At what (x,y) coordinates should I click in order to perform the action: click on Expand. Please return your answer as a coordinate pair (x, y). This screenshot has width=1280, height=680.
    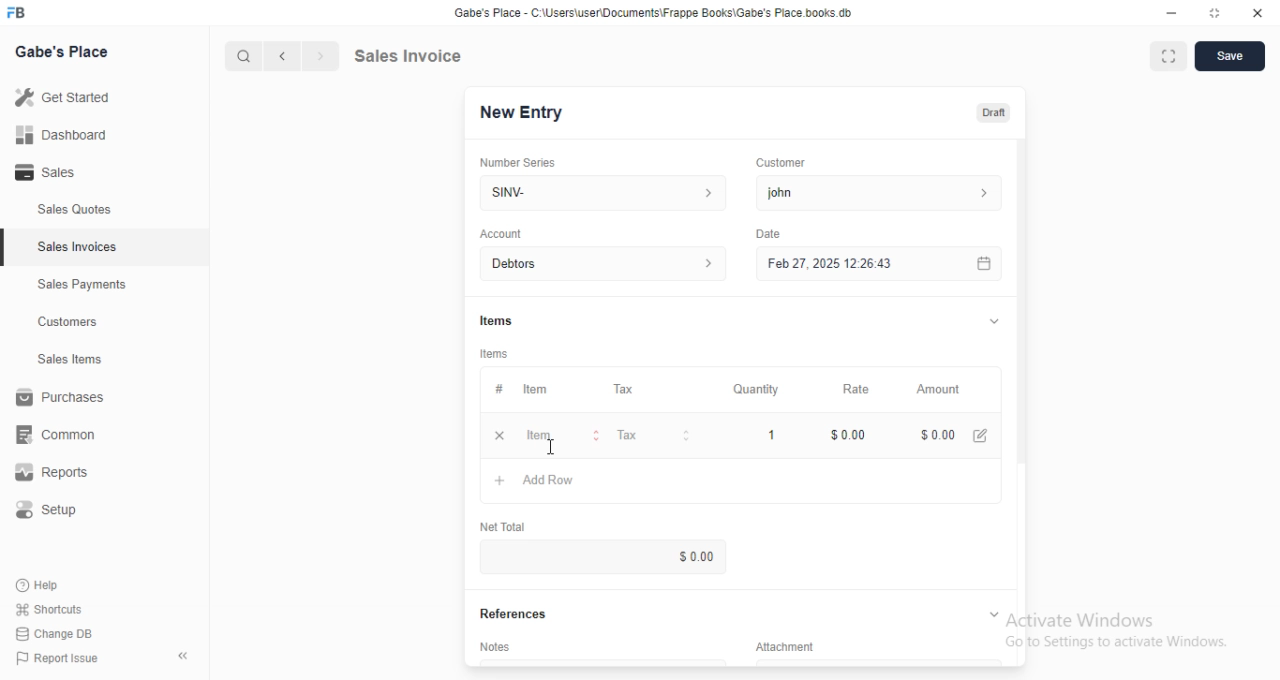
    Looking at the image, I should click on (993, 612).